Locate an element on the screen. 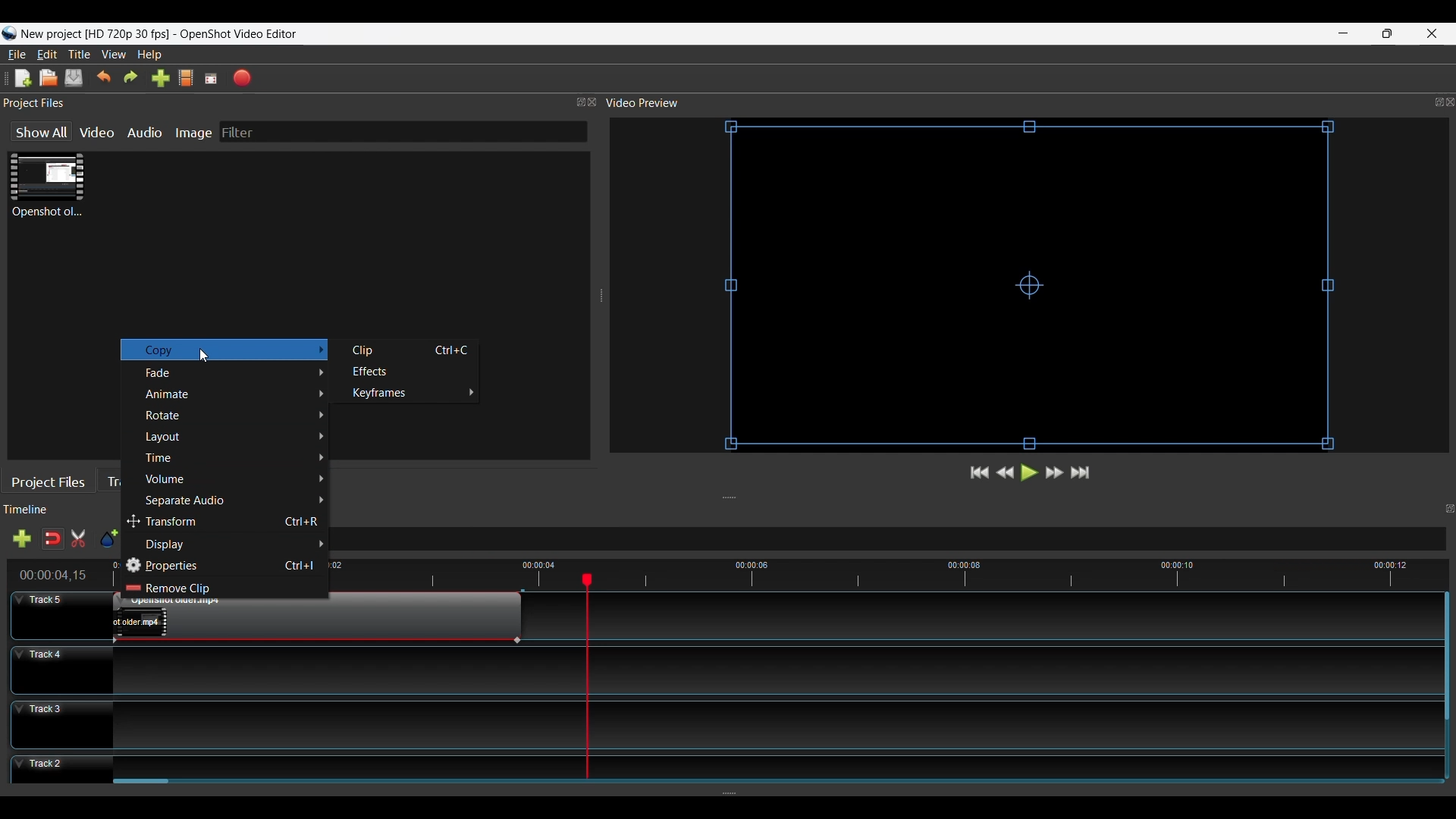 This screenshot has height=819, width=1456. Restore is located at coordinates (1385, 33).